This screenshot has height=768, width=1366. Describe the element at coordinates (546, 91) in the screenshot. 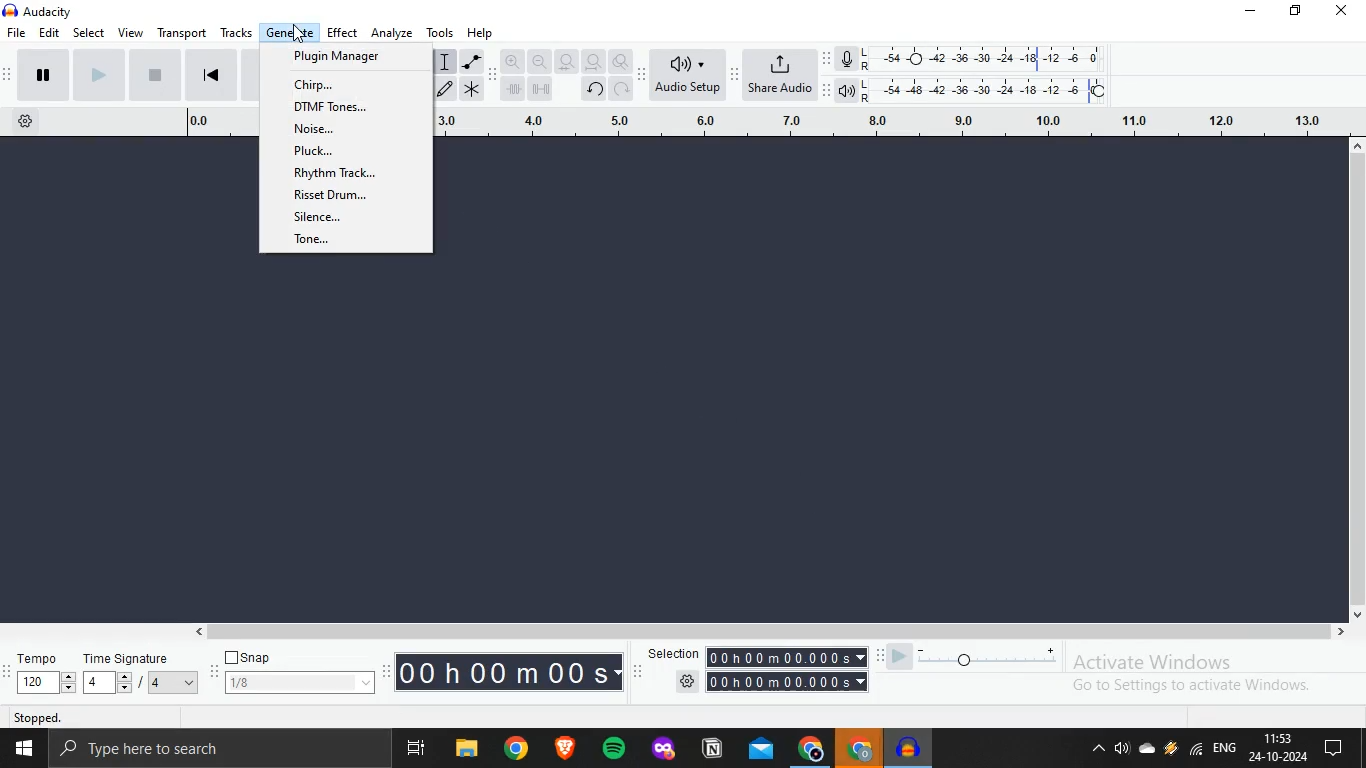

I see `Multi time shift` at that location.